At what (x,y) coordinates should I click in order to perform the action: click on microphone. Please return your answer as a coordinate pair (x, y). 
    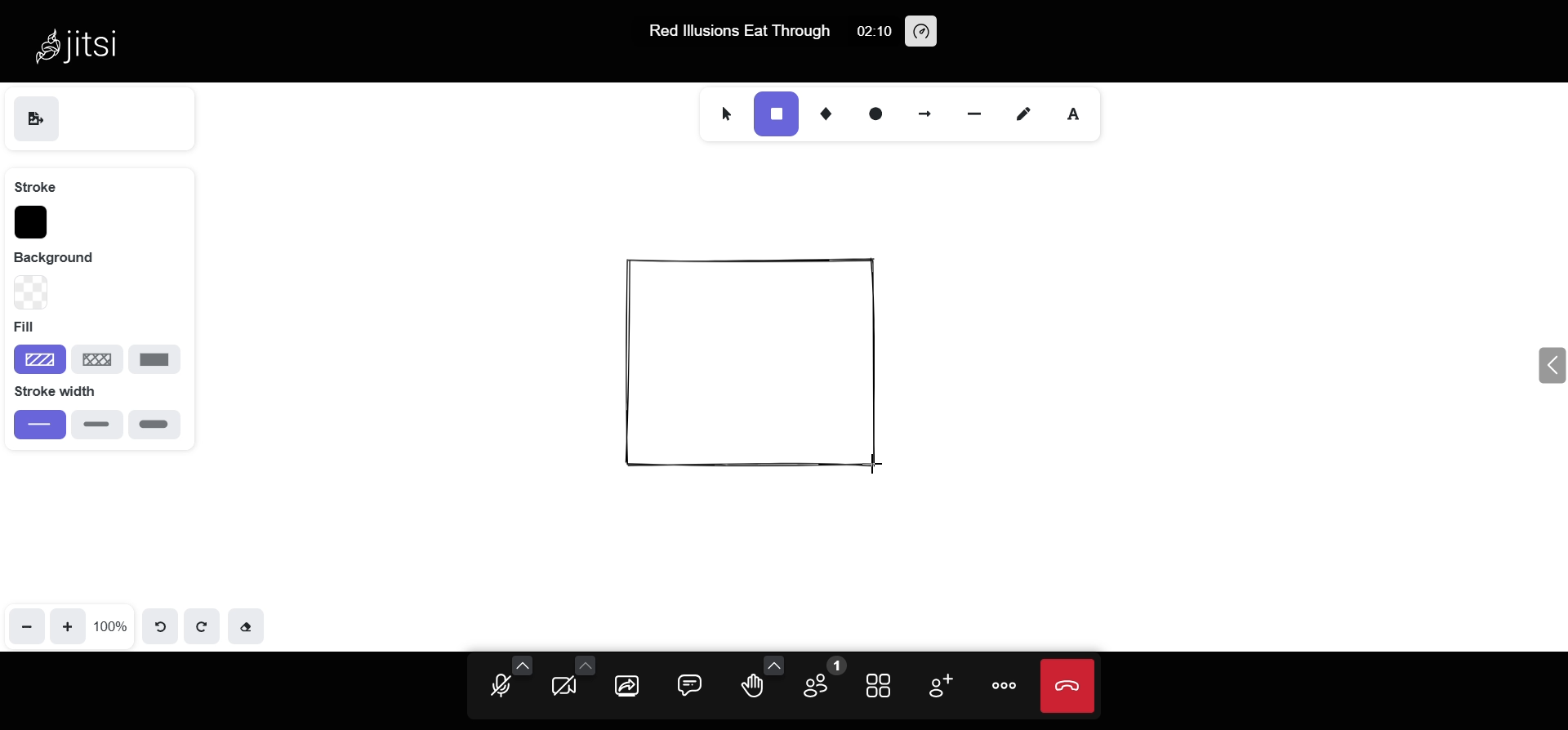
    Looking at the image, I should click on (501, 688).